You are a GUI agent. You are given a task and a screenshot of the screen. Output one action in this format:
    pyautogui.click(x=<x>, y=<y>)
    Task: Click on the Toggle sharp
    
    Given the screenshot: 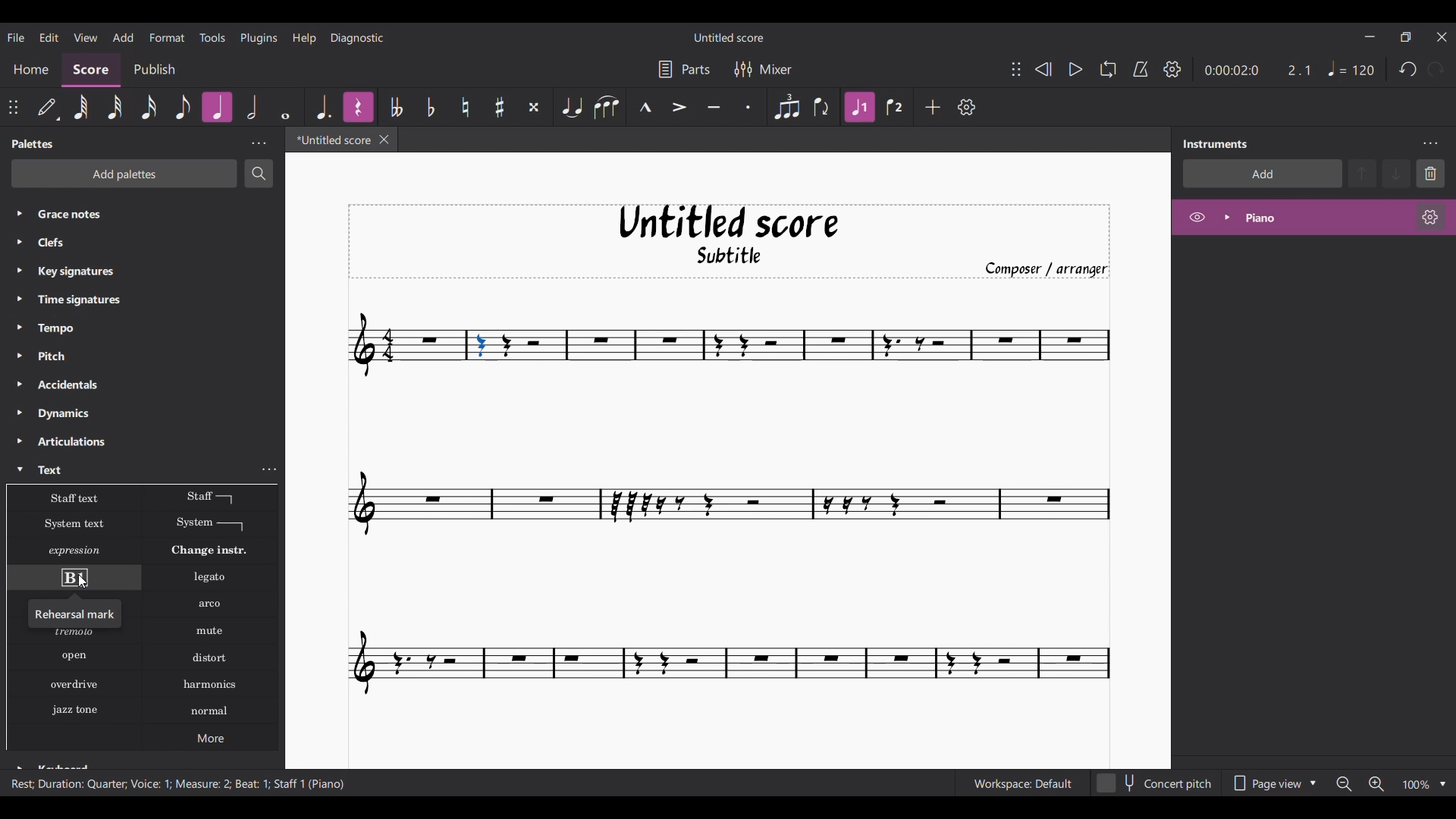 What is the action you would take?
    pyautogui.click(x=500, y=107)
    